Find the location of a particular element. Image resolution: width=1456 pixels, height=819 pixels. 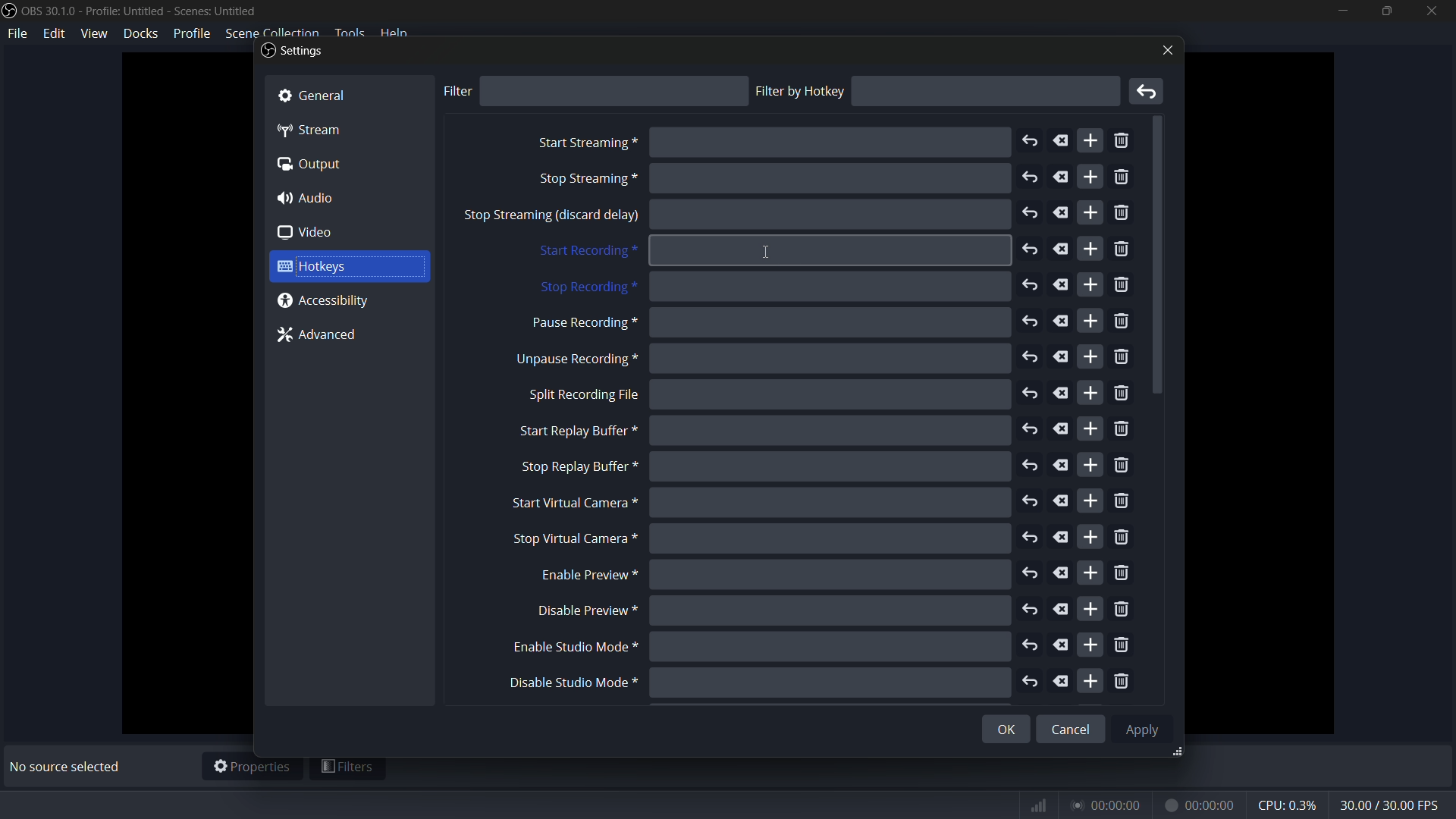

fps is located at coordinates (1391, 806).